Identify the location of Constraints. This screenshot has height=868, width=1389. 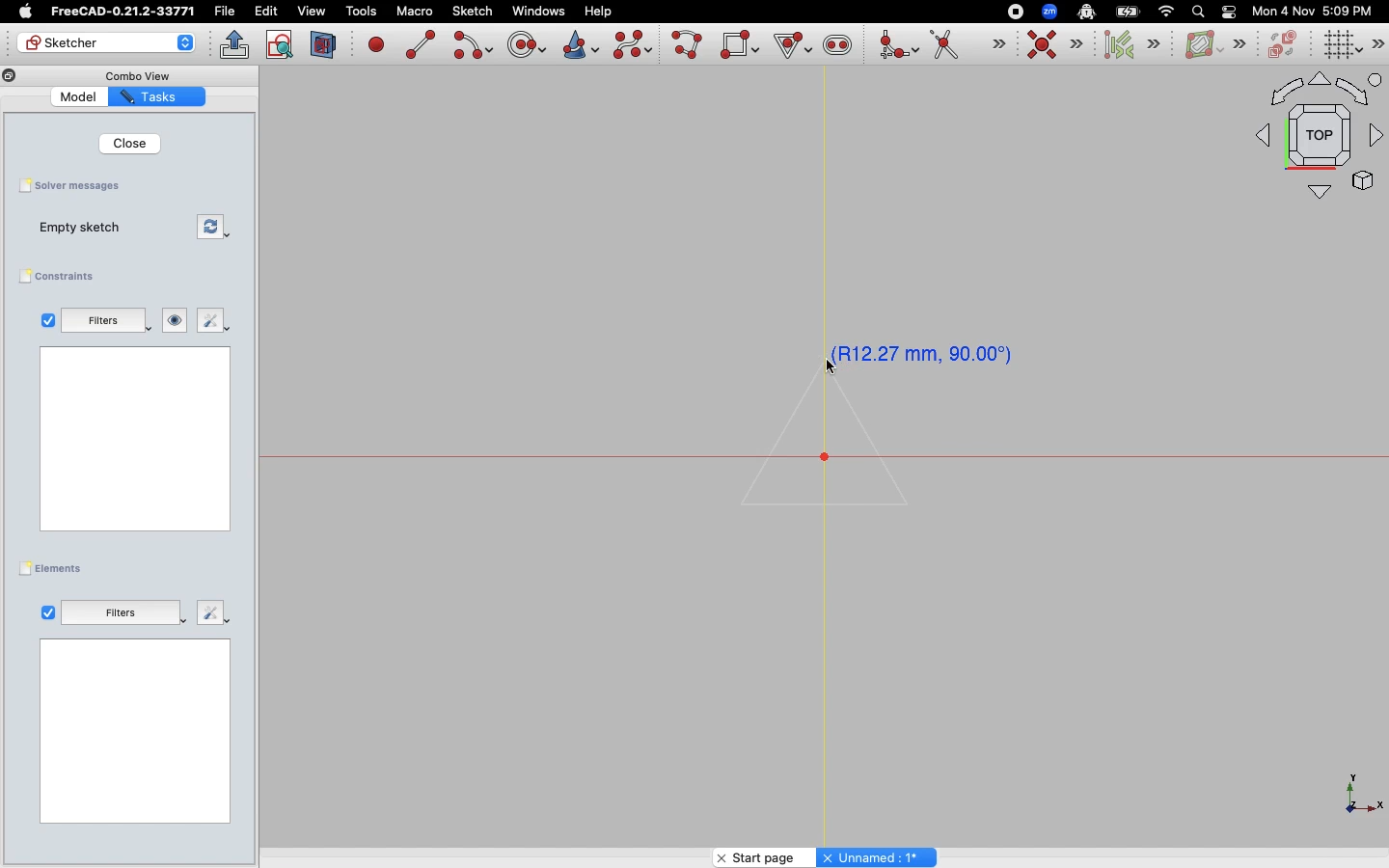
(62, 277).